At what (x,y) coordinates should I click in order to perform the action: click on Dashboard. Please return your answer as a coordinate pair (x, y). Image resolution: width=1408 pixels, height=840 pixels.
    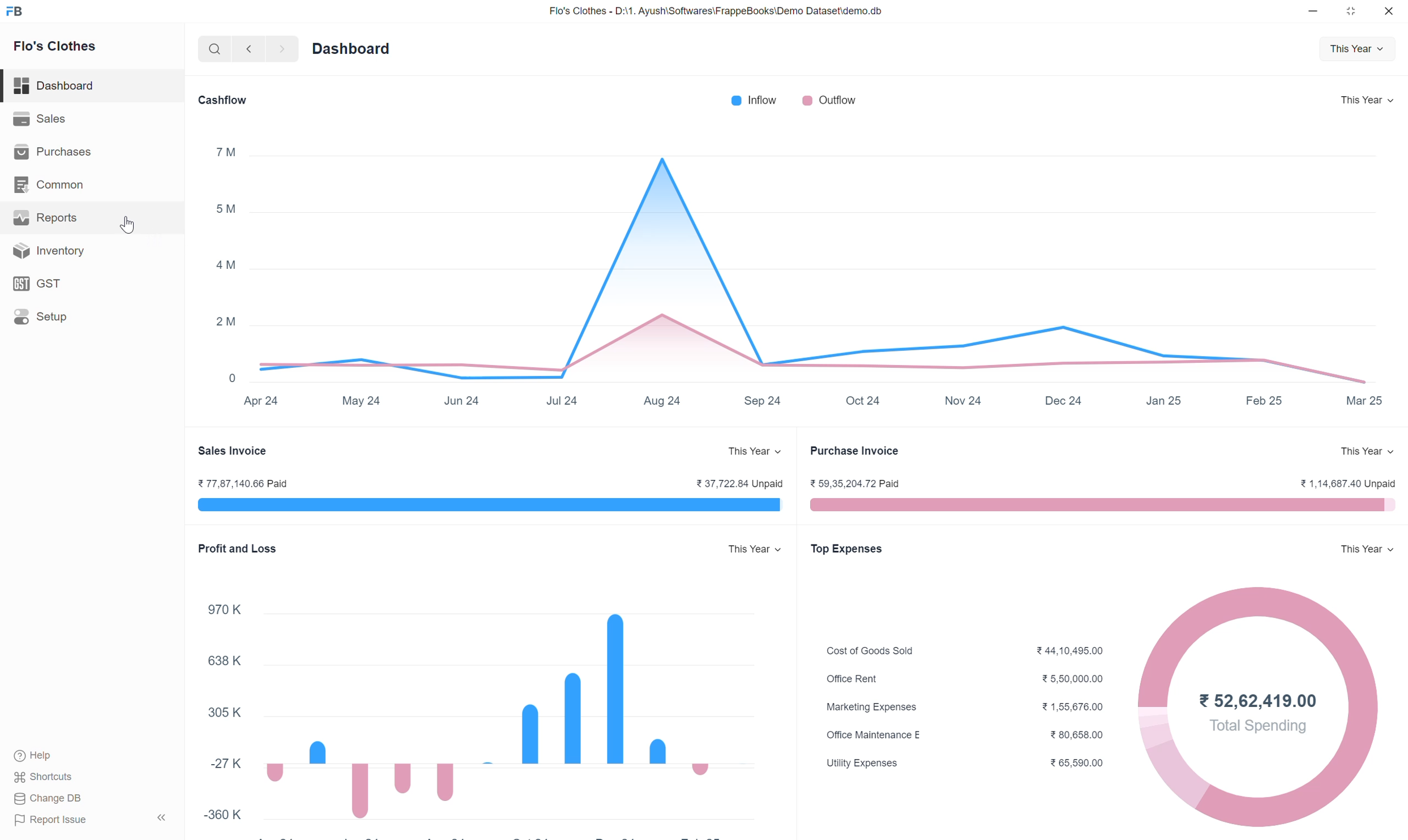
    Looking at the image, I should click on (361, 49).